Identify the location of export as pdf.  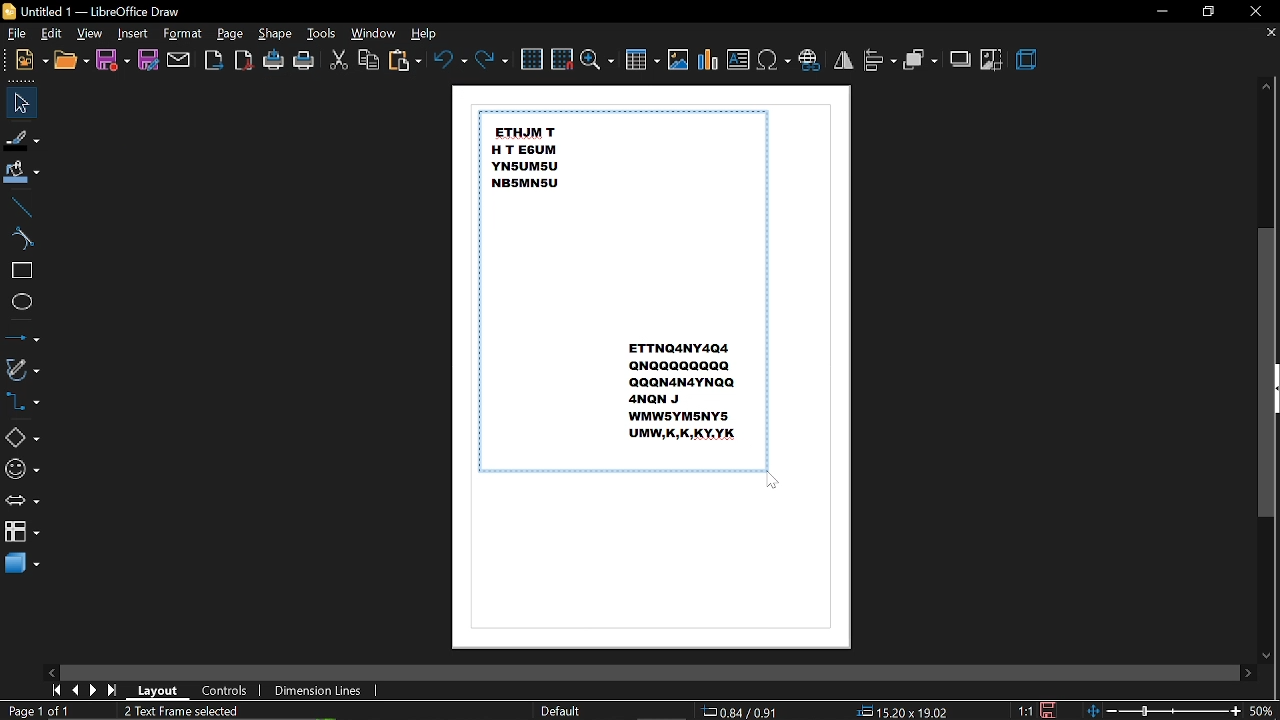
(243, 62).